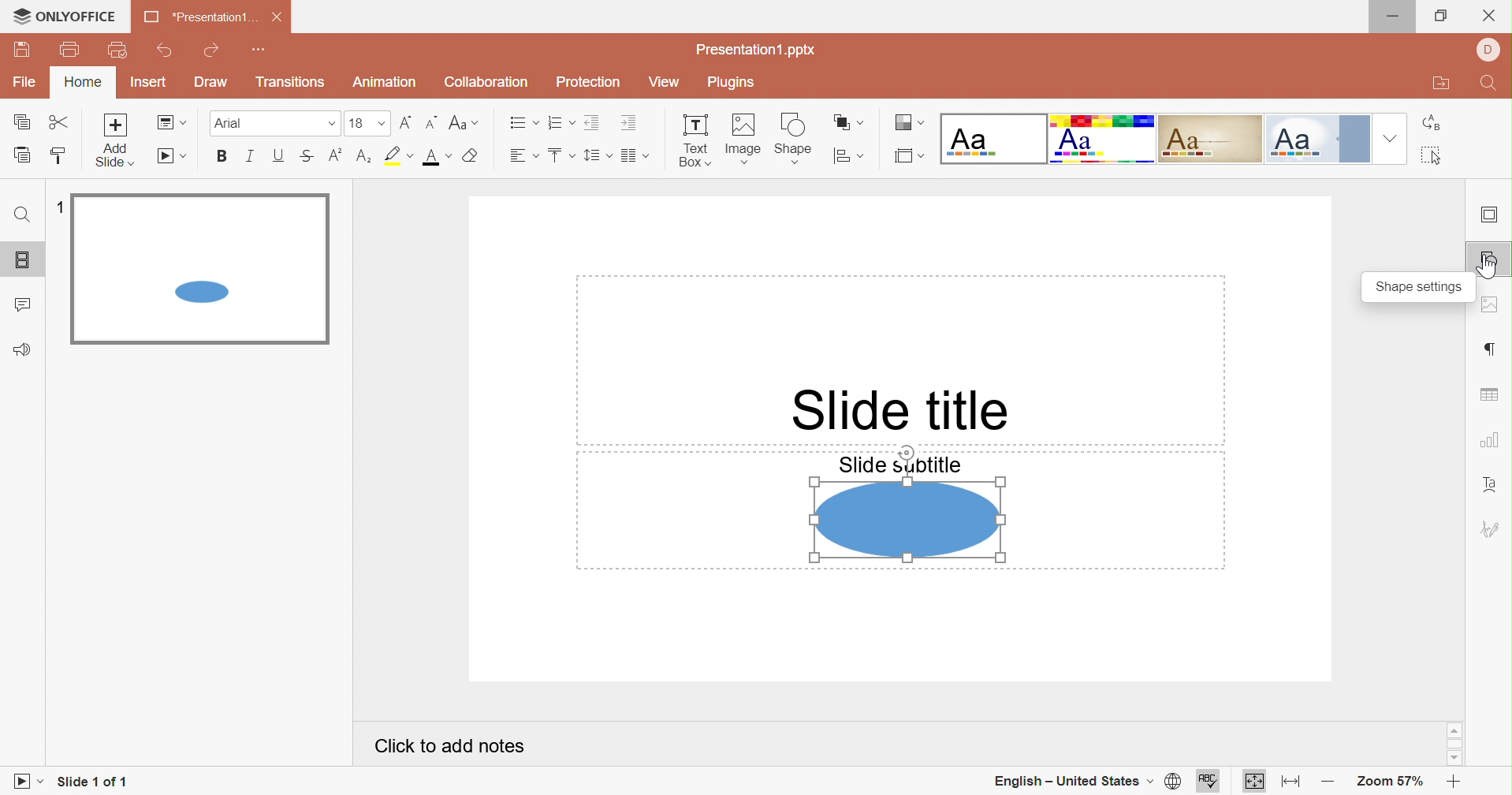 This screenshot has height=795, width=1512. I want to click on 1, so click(61, 208).